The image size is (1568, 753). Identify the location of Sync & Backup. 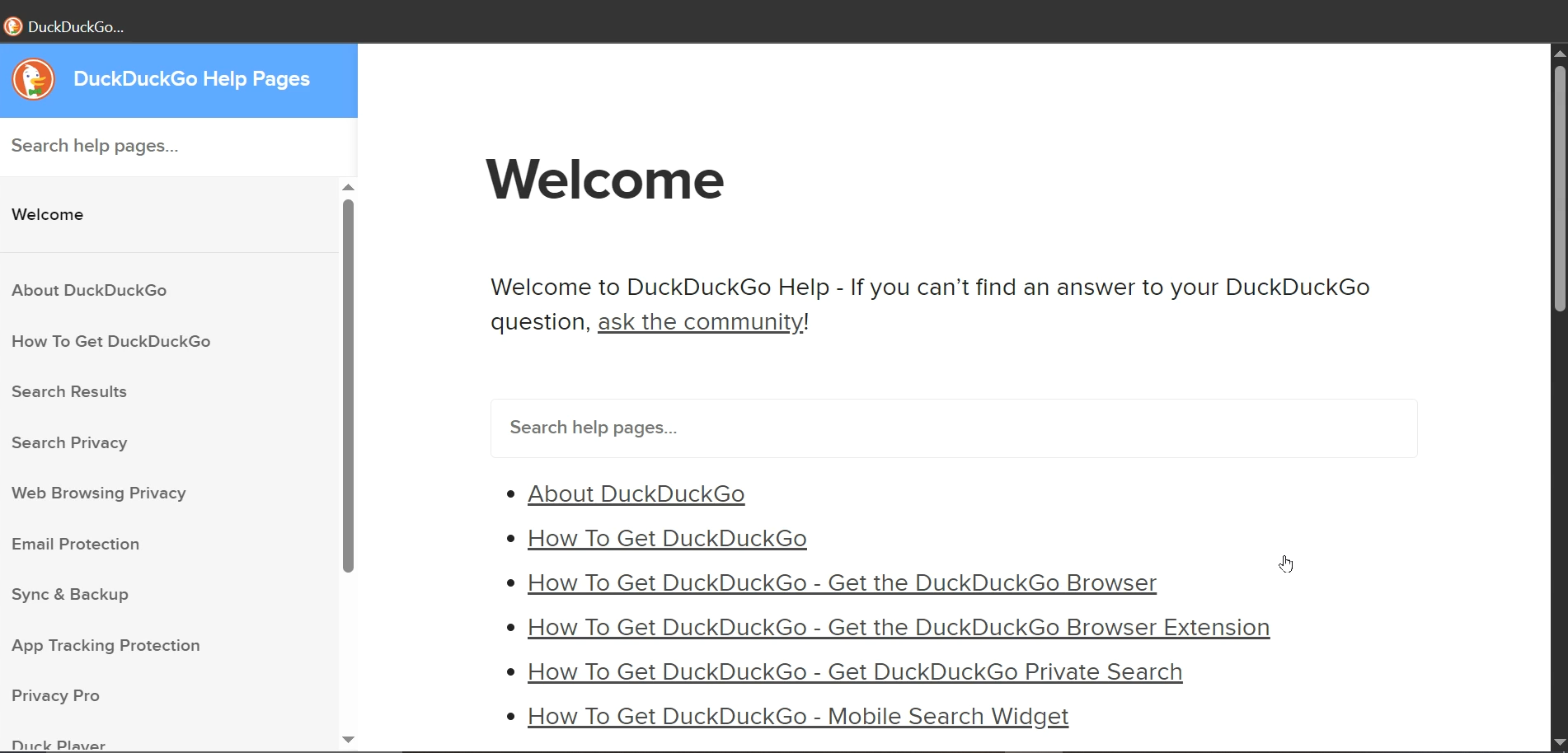
(73, 595).